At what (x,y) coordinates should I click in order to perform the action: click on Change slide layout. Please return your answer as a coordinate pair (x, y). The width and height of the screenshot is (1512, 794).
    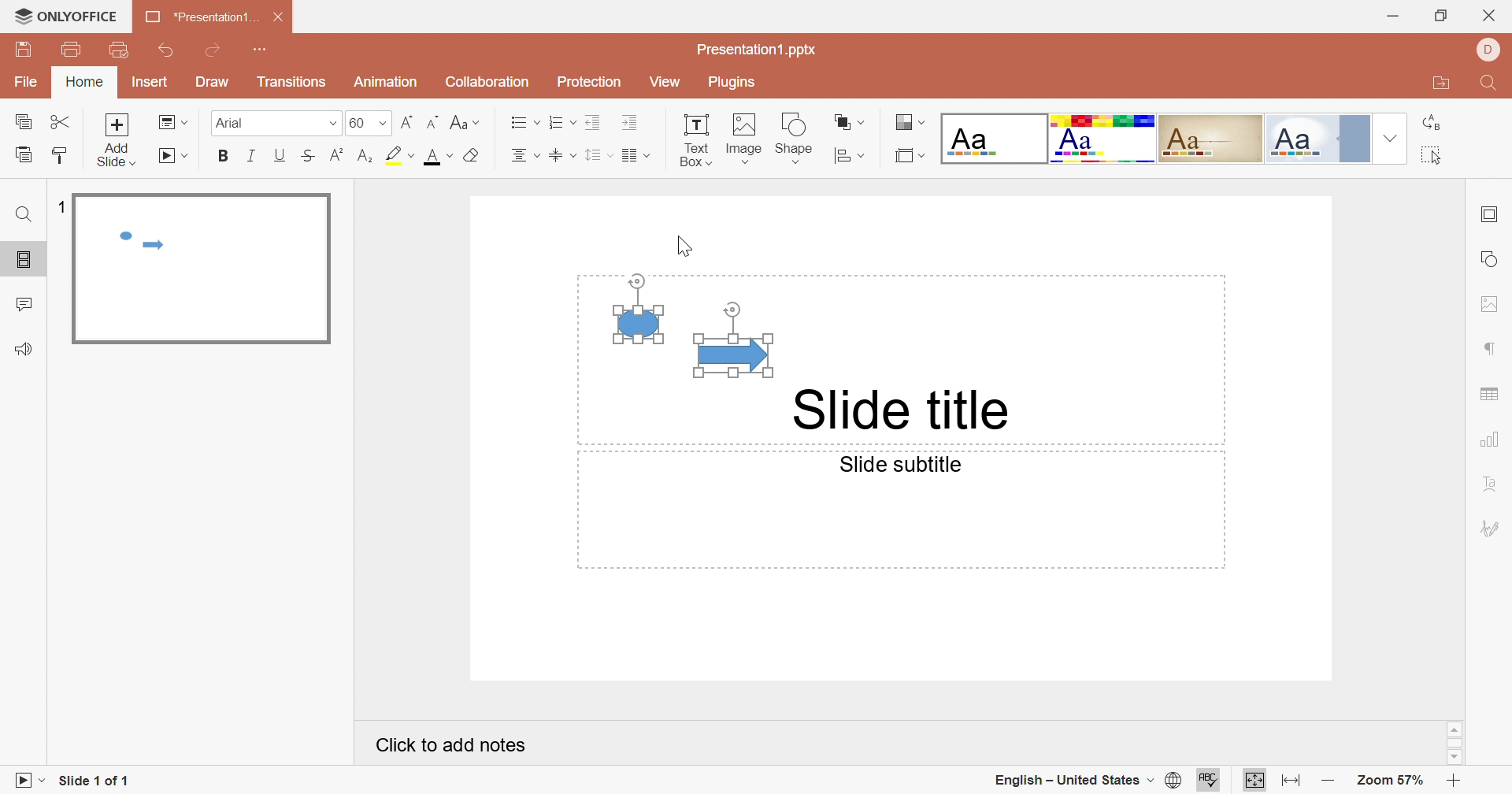
    Looking at the image, I should click on (174, 121).